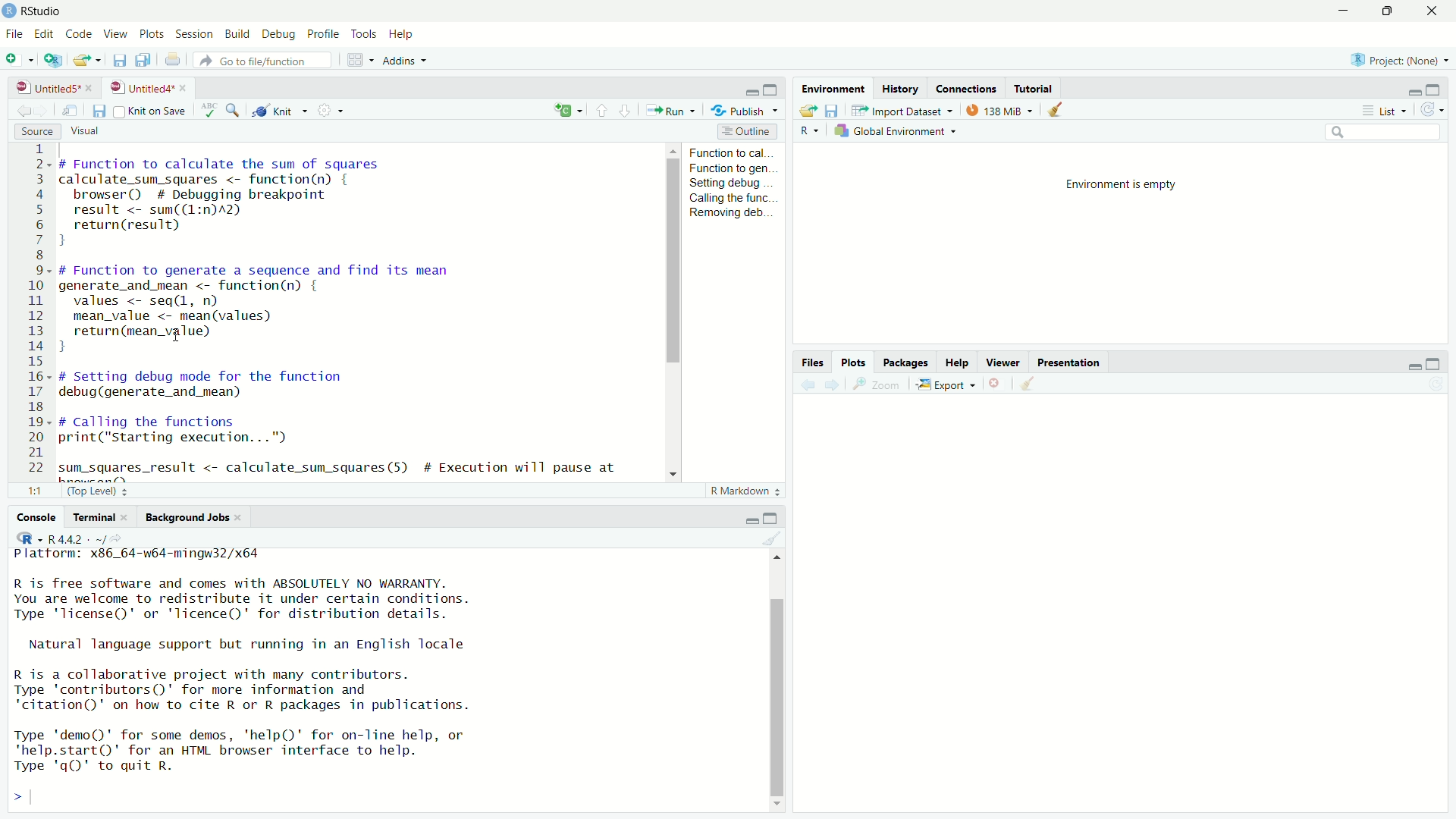 The image size is (1456, 819). I want to click on language select, so click(23, 538).